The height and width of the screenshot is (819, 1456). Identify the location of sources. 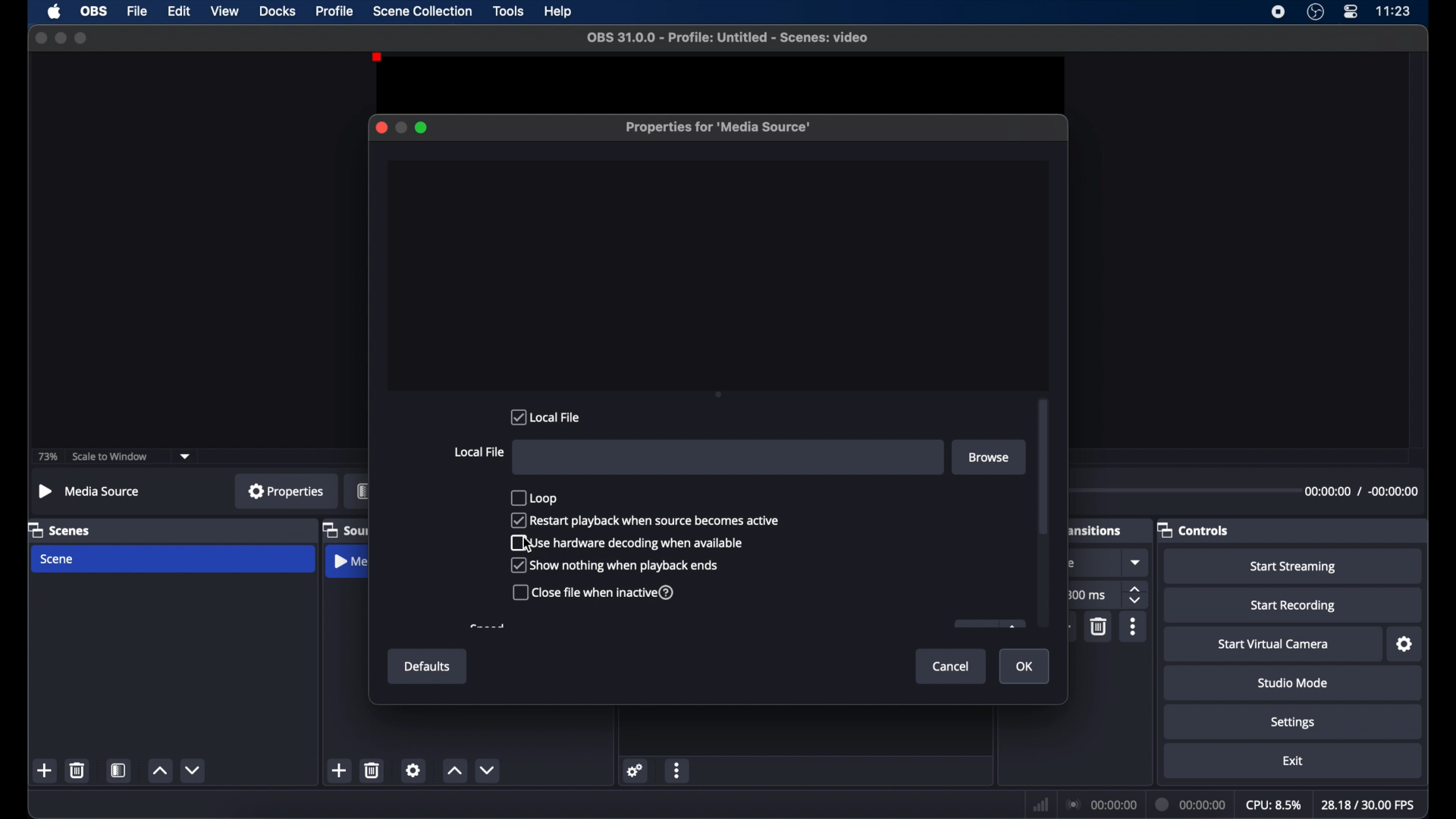
(345, 528).